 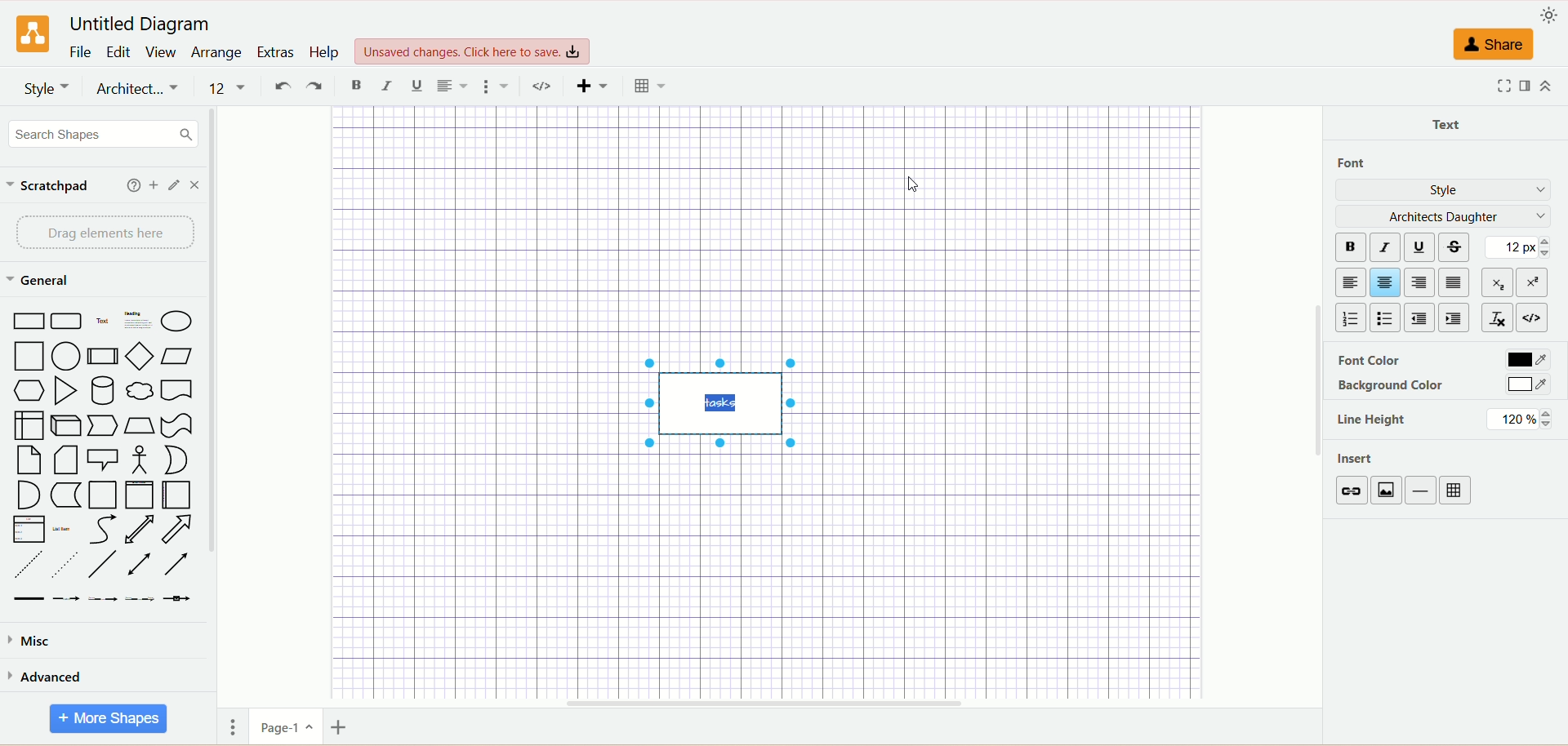 I want to click on Curved Arrow, so click(x=102, y=531).